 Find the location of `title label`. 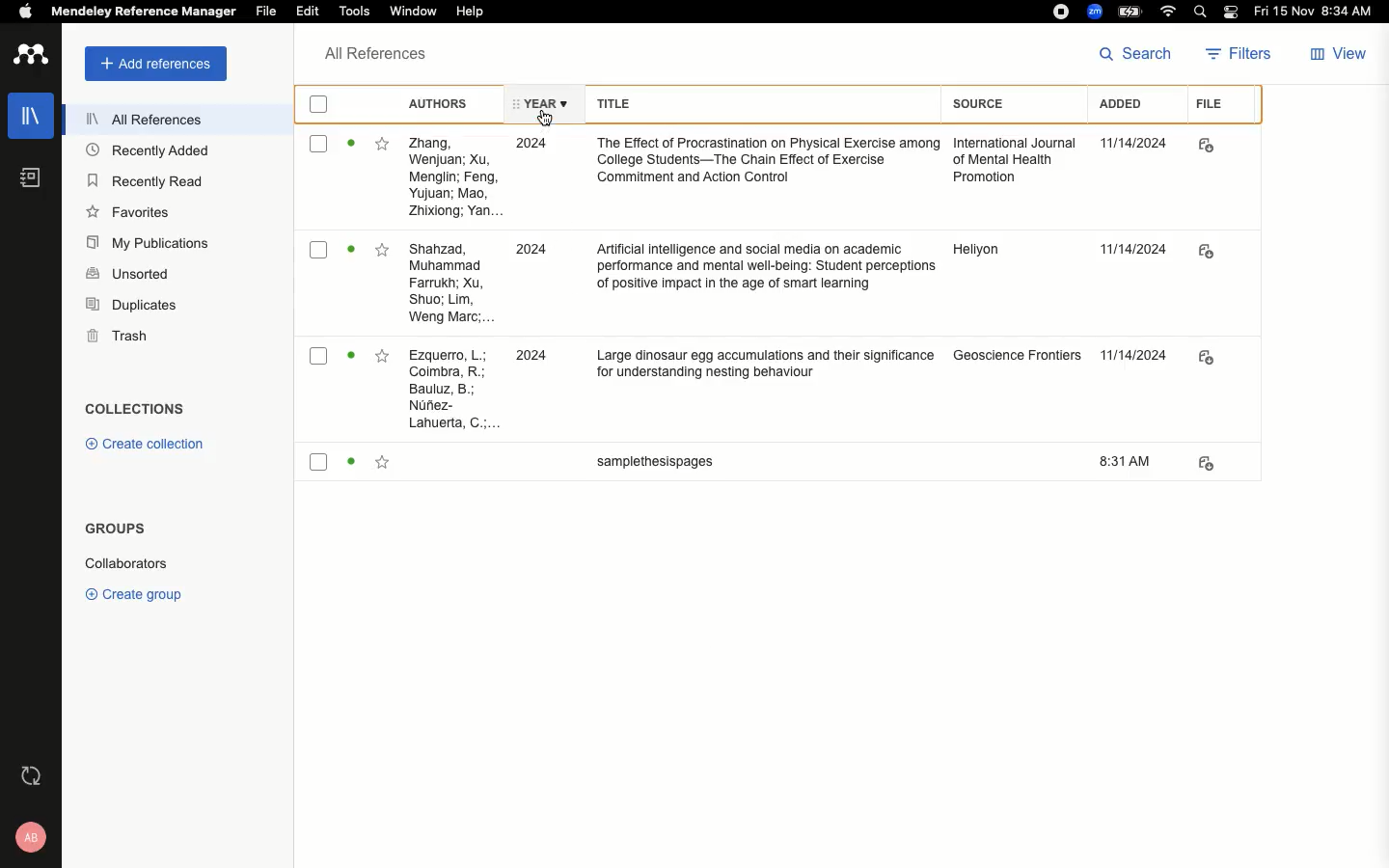

title label is located at coordinates (752, 101).